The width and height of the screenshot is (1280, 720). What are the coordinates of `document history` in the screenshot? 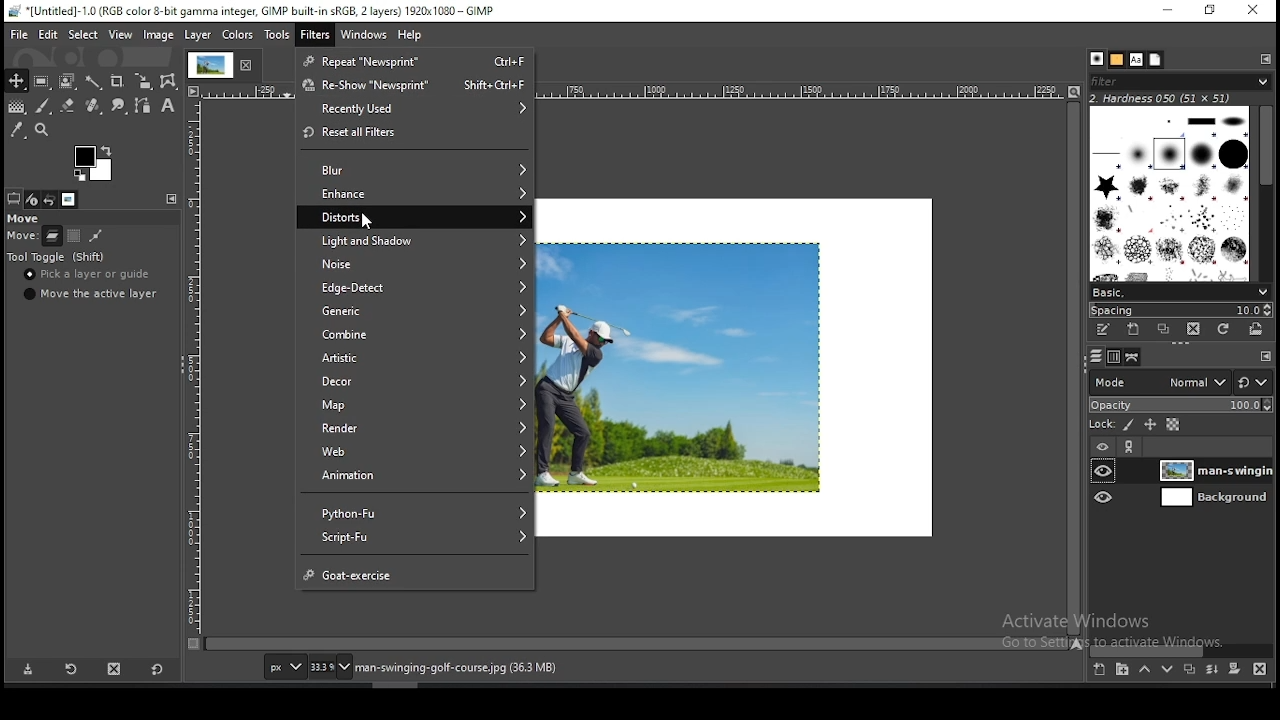 It's located at (1155, 60).